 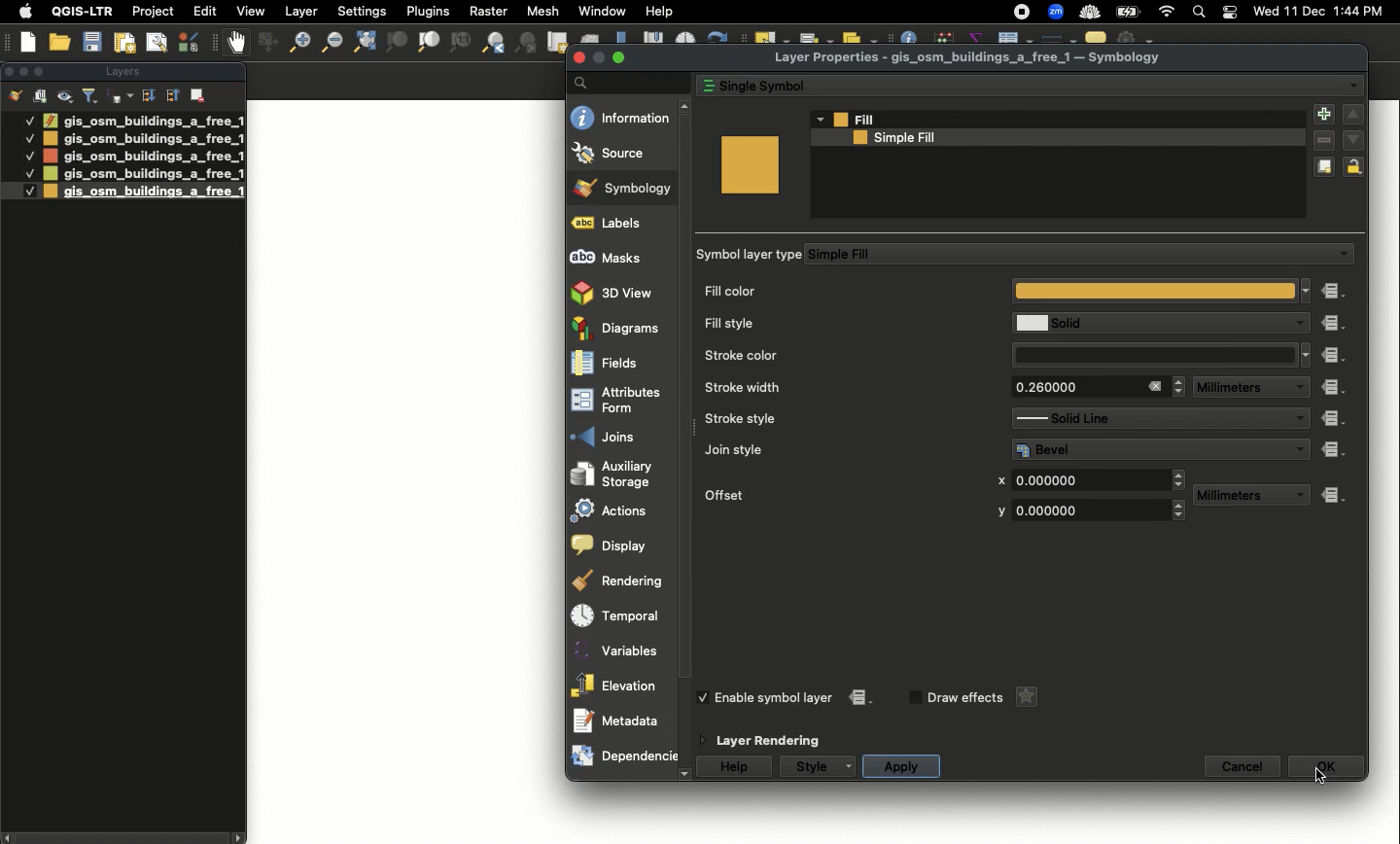 I want to click on Checked, so click(x=28, y=137).